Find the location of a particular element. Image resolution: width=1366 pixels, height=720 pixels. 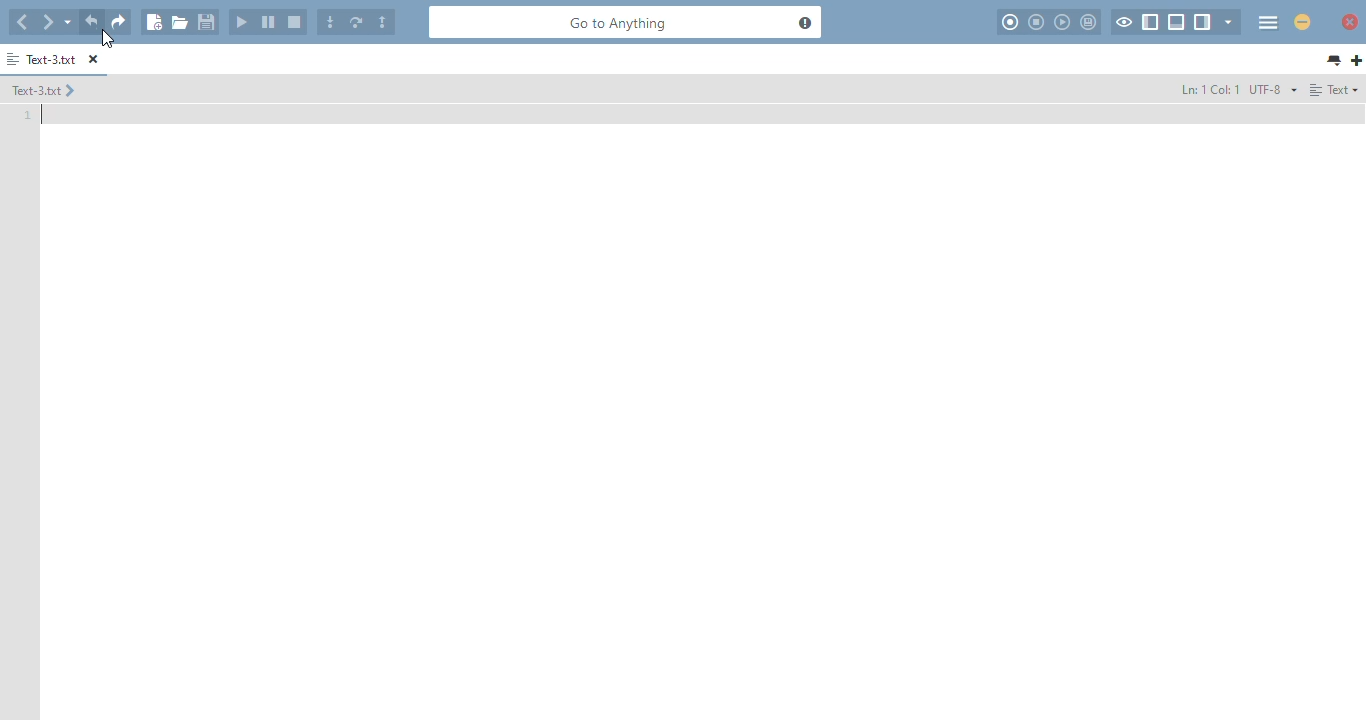

file encoding is located at coordinates (1273, 88).